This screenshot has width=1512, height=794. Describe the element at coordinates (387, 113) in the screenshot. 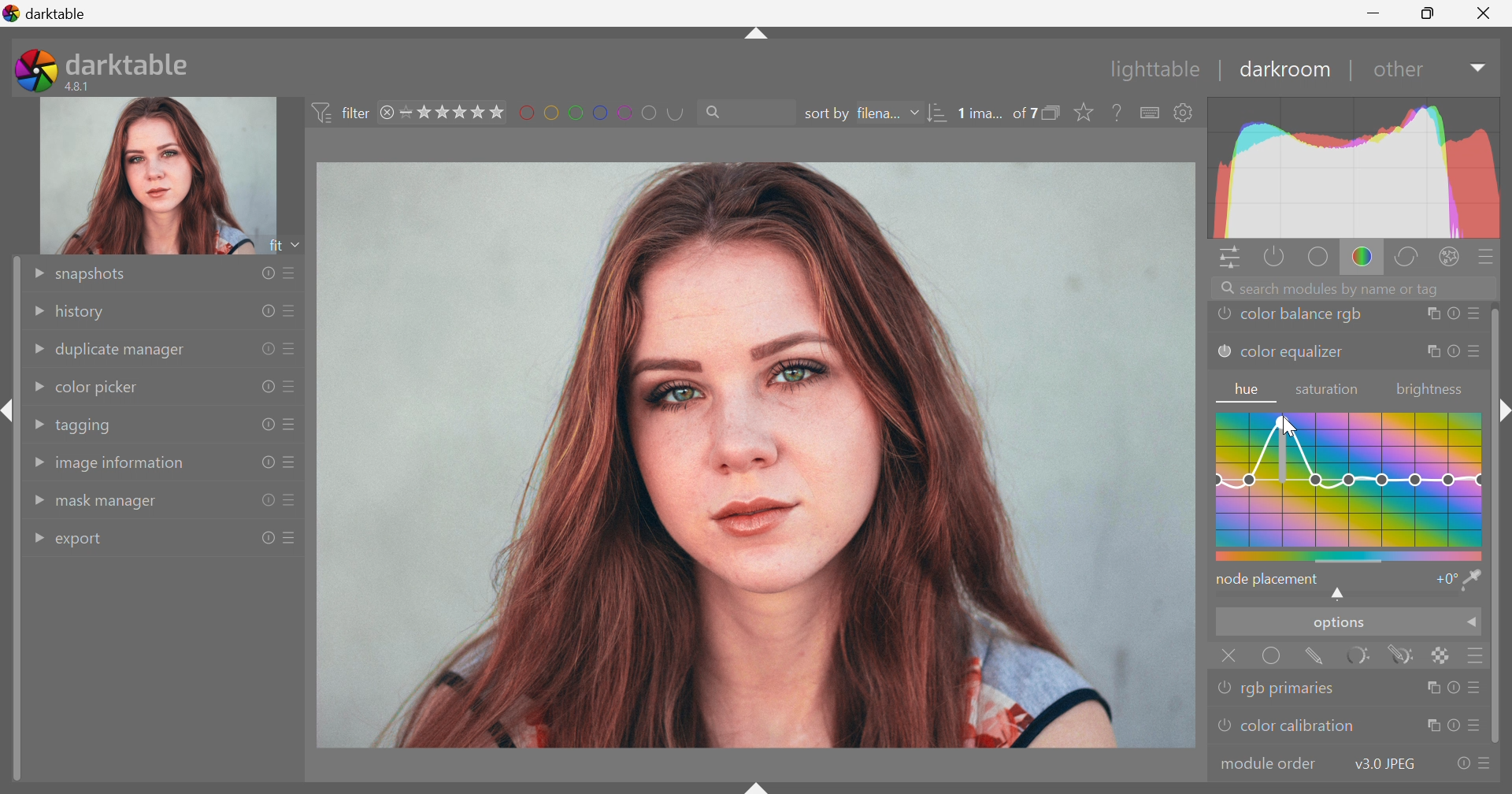

I see `remove filter` at that location.